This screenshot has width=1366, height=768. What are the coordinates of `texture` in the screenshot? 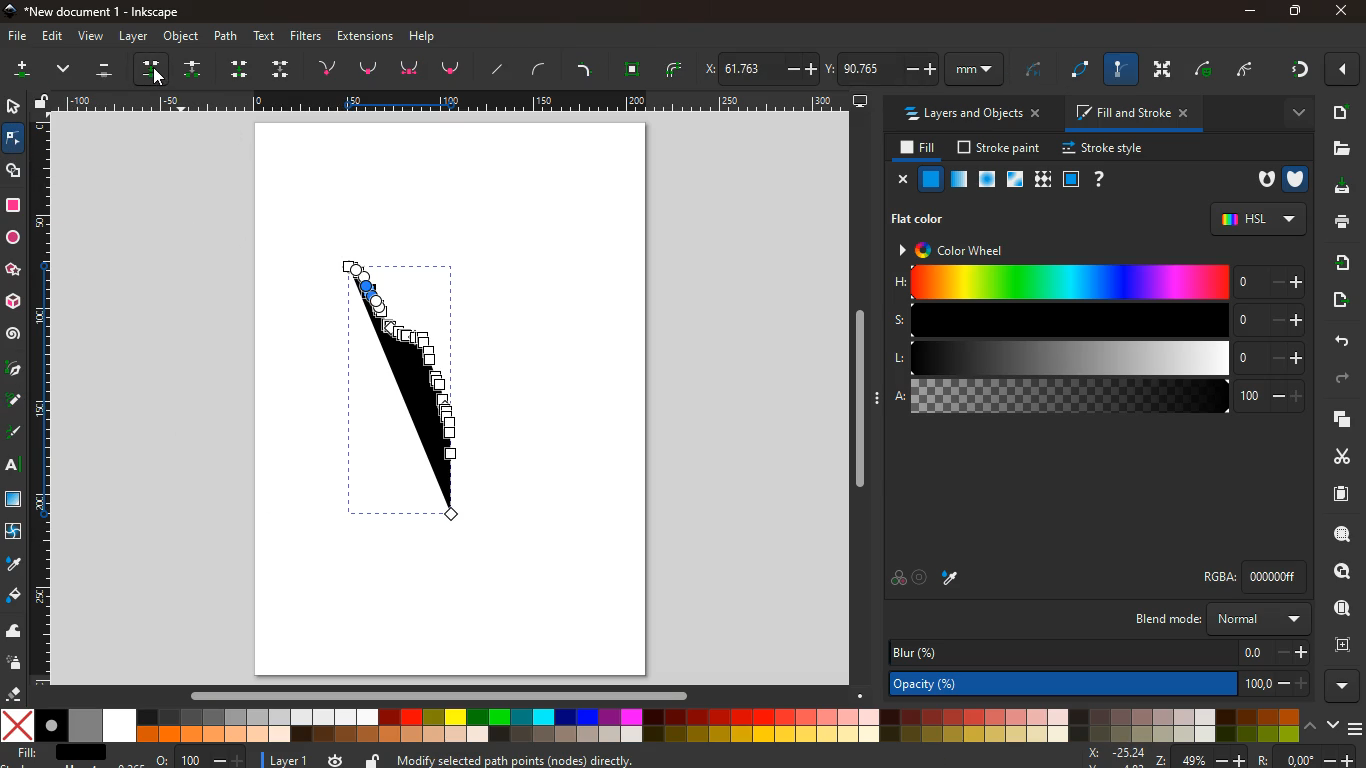 It's located at (14, 499).